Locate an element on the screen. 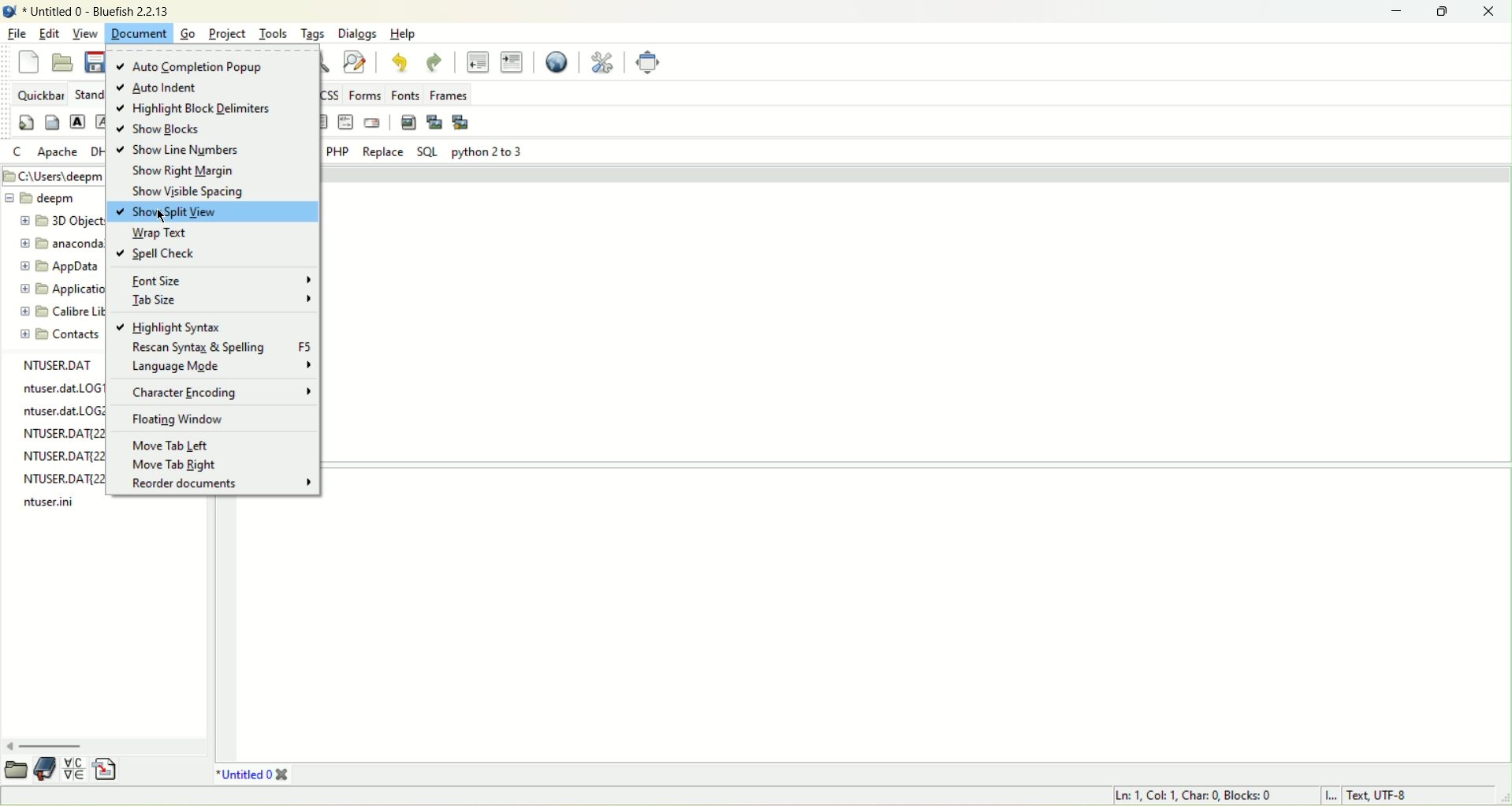  undo is located at coordinates (397, 63).